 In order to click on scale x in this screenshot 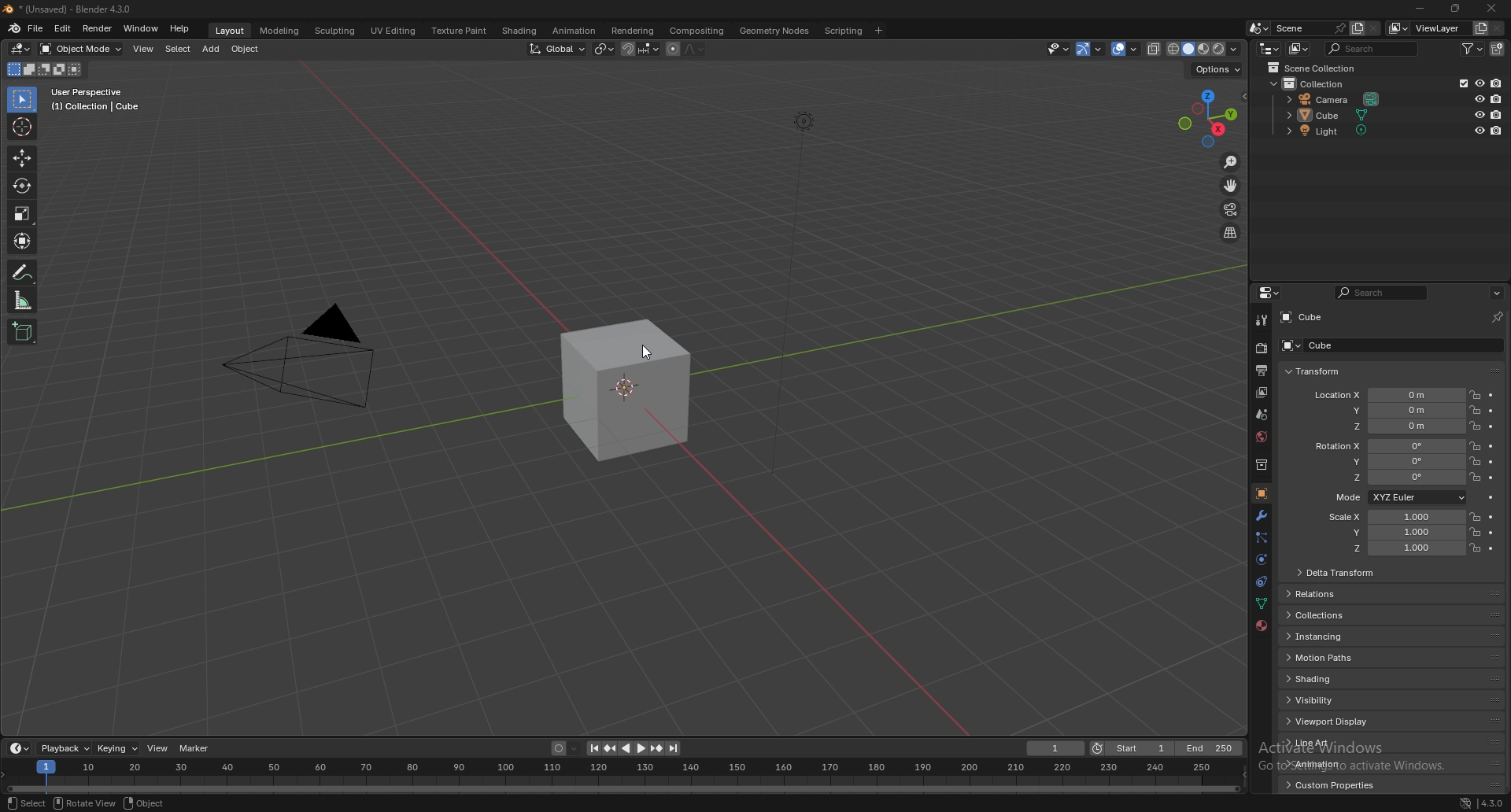, I will do `click(1391, 517)`.